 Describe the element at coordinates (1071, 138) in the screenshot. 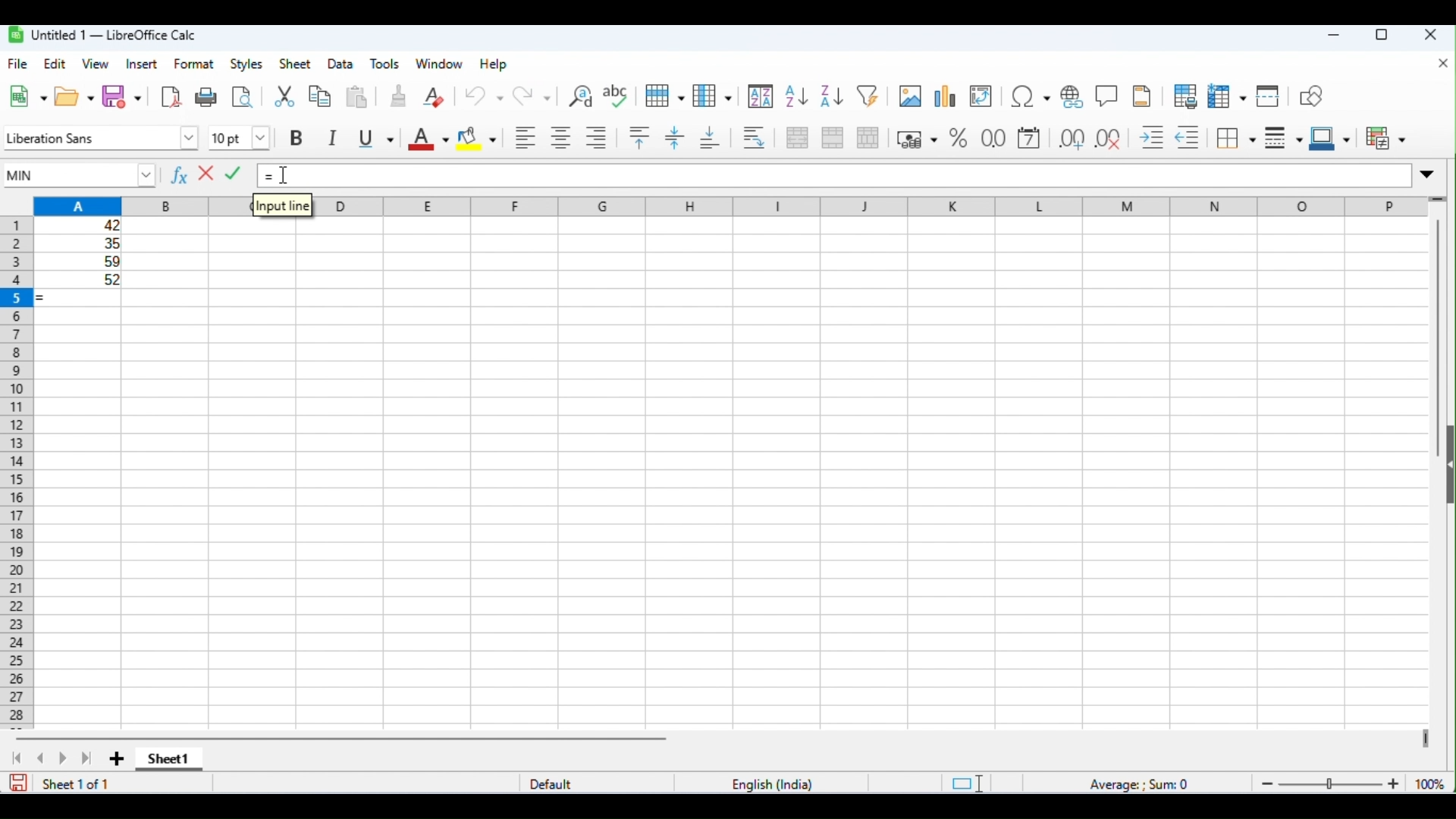

I see `add decimal place` at that location.